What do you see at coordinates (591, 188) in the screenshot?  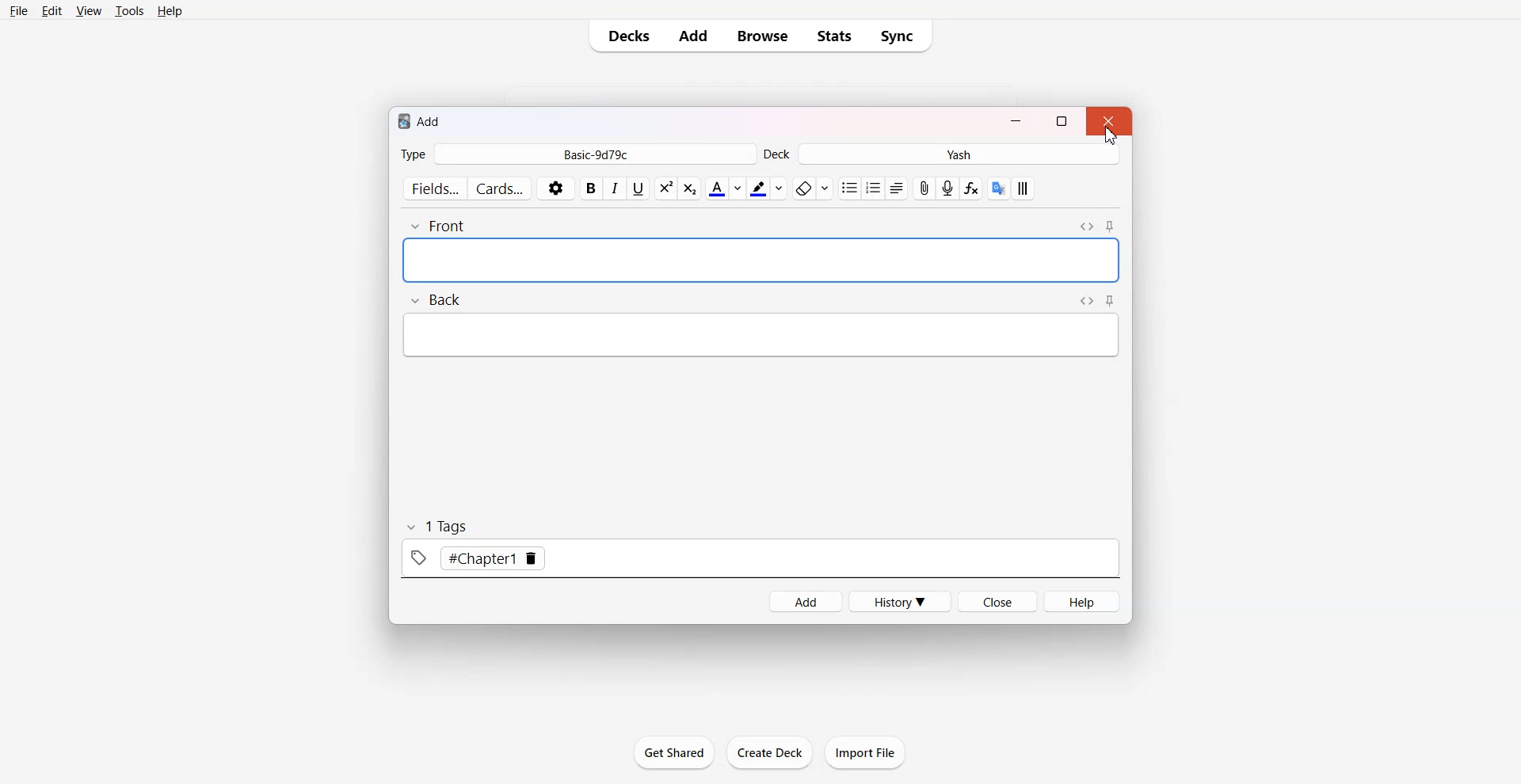 I see `Bold` at bounding box center [591, 188].